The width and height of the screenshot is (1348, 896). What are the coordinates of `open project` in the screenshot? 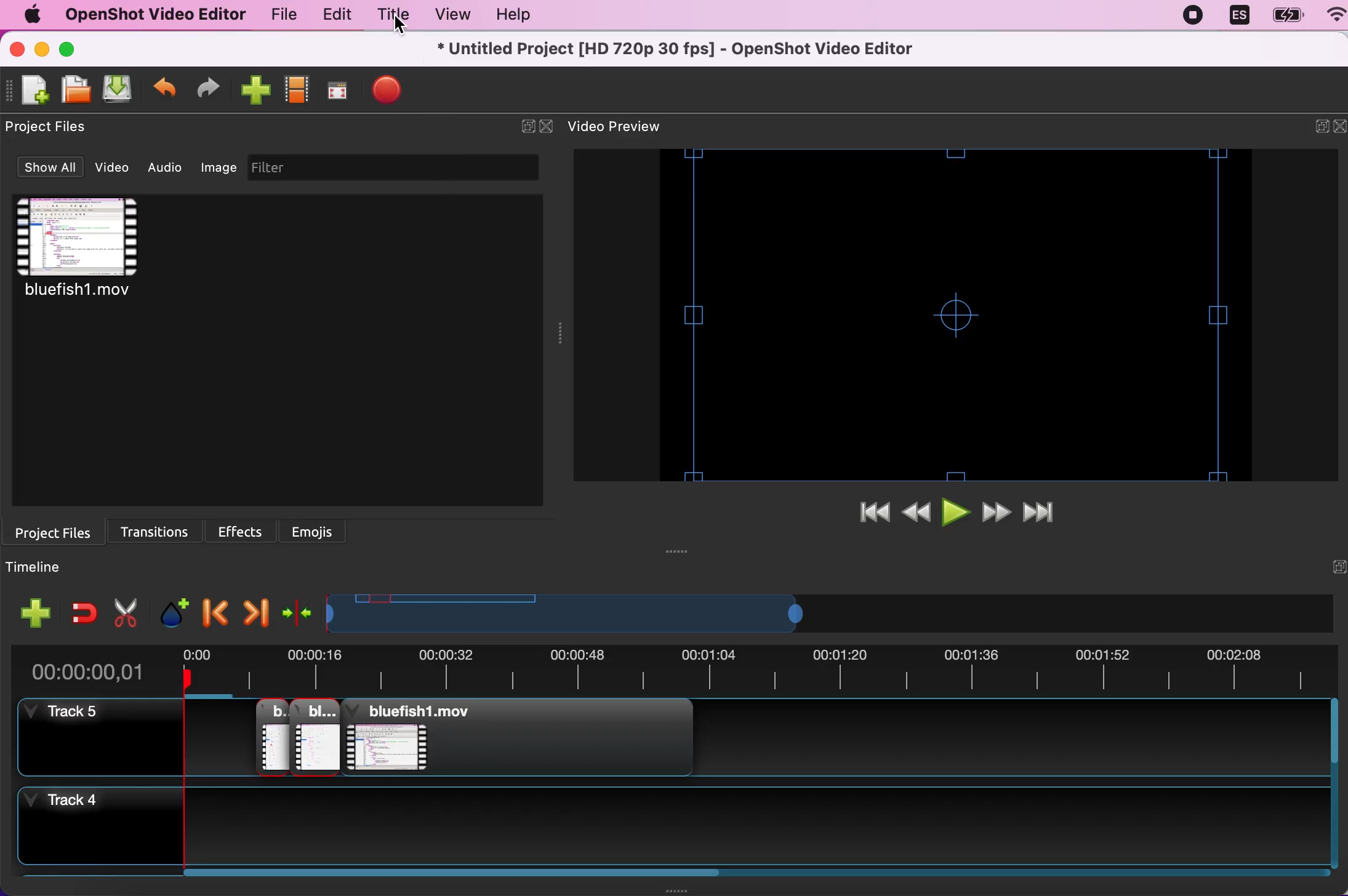 It's located at (74, 89).